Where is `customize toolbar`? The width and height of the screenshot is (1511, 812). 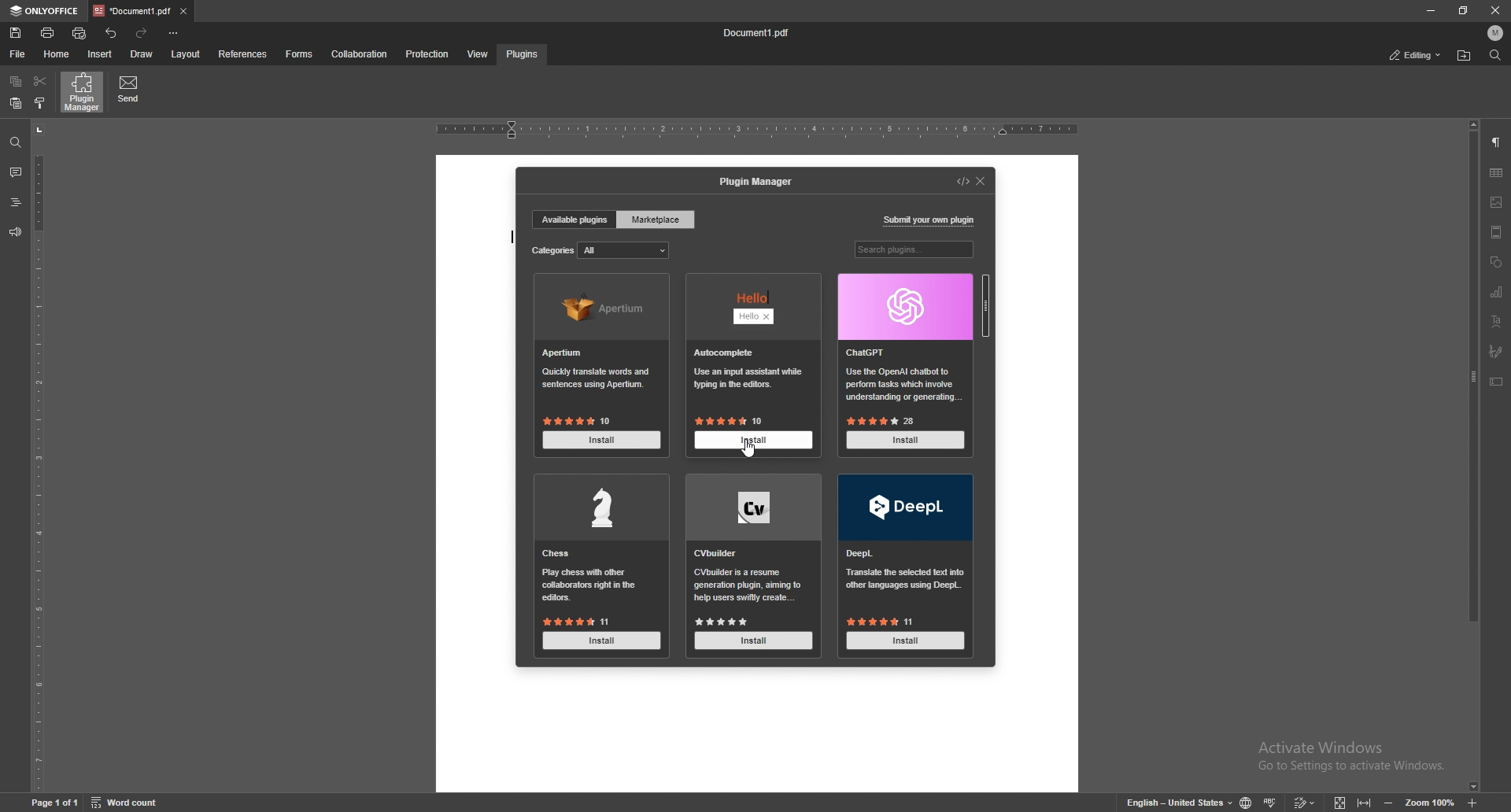
customize toolbar is located at coordinates (173, 34).